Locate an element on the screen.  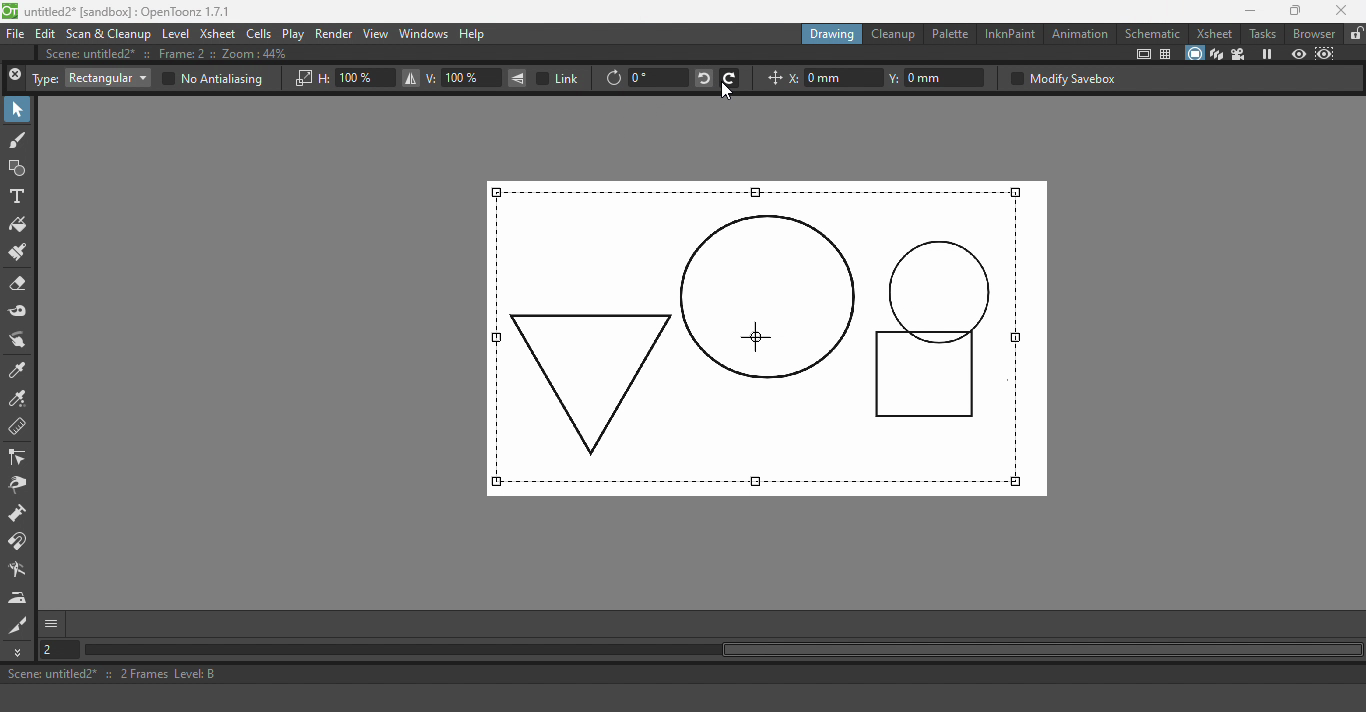
Set the current frame is located at coordinates (62, 651).